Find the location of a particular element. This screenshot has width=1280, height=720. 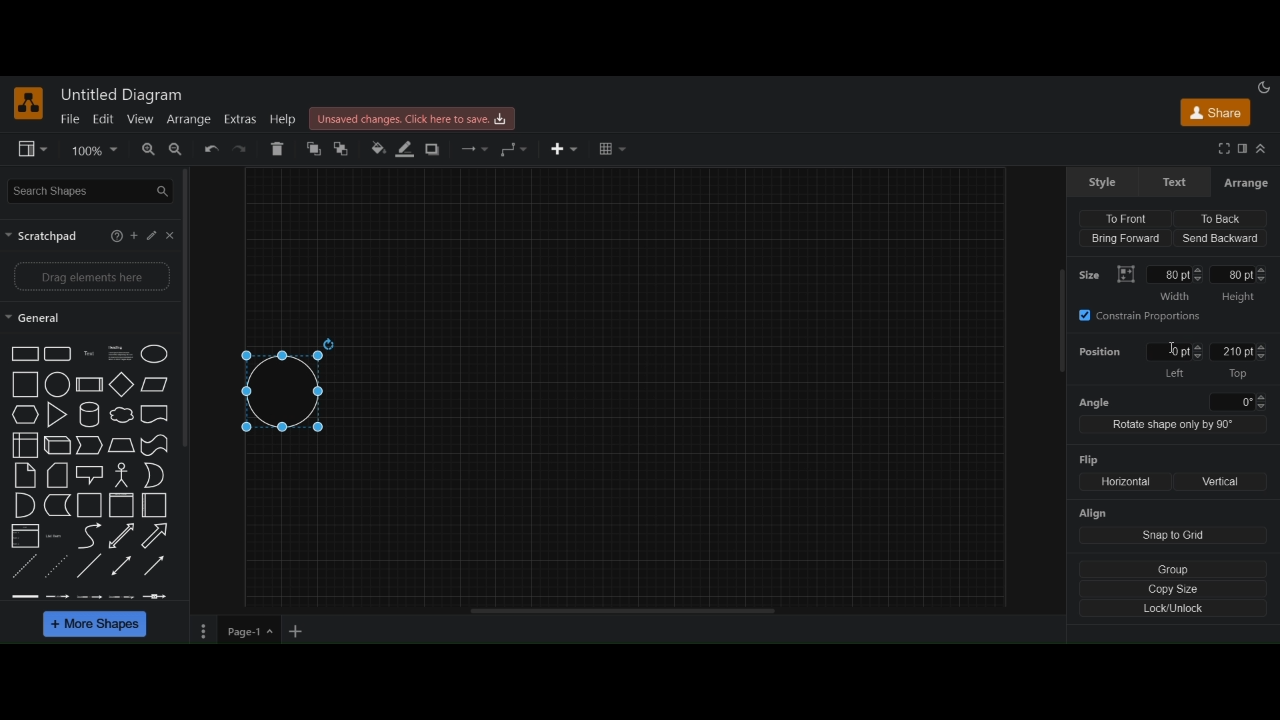

free shape is located at coordinates (122, 416).